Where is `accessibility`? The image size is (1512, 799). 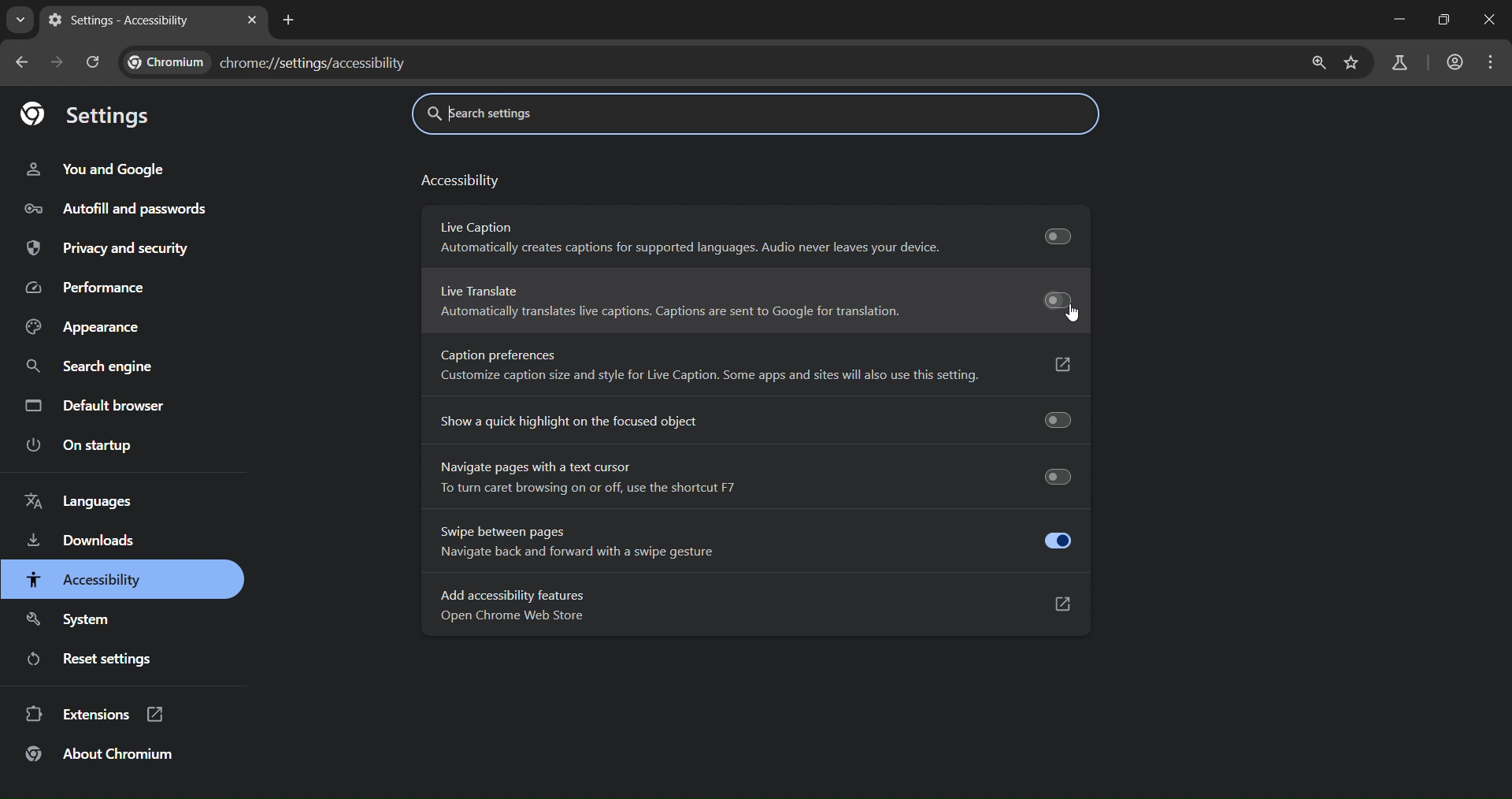
accessibility is located at coordinates (460, 183).